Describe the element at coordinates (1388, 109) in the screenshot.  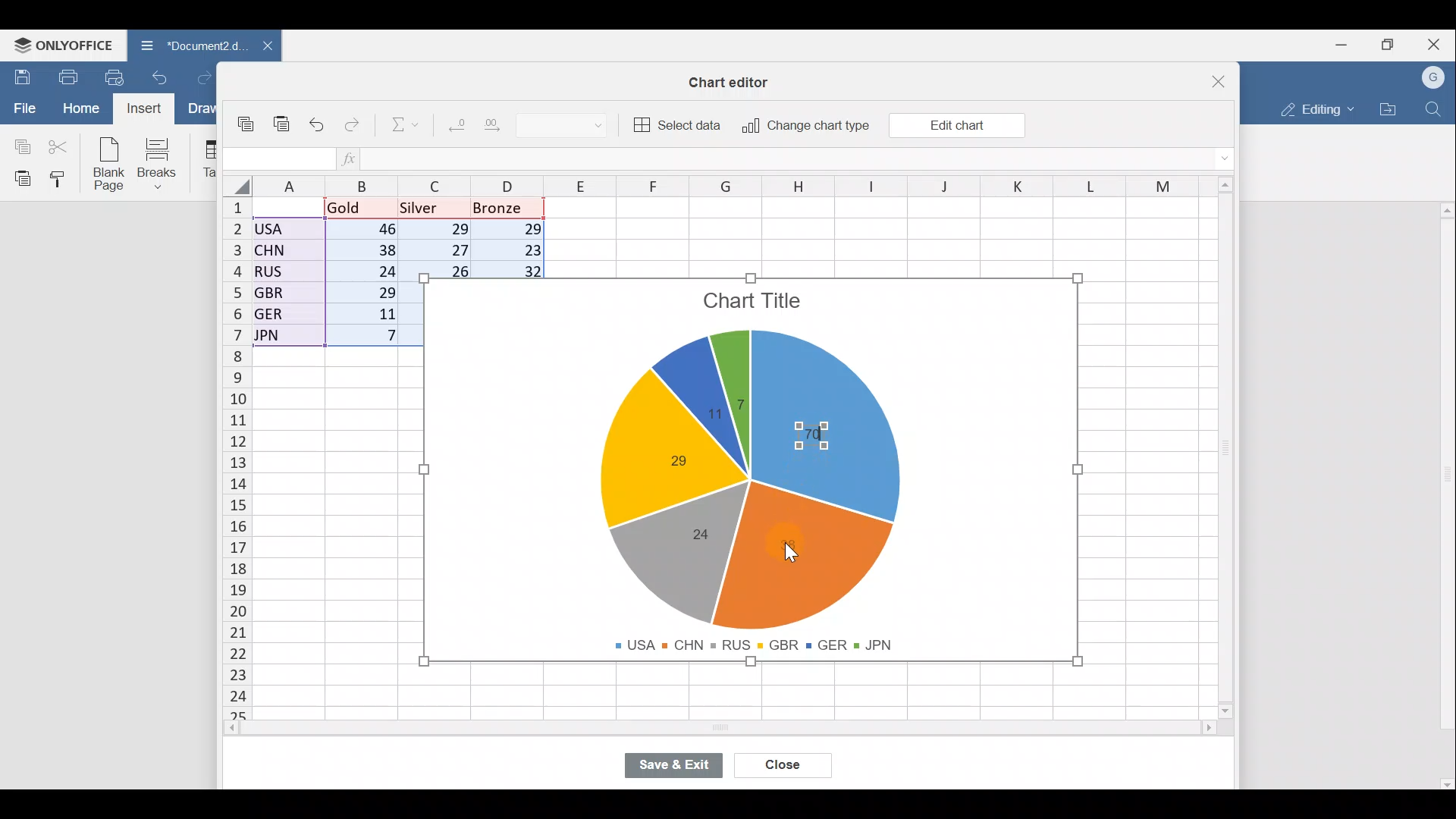
I see `Open file location` at that location.